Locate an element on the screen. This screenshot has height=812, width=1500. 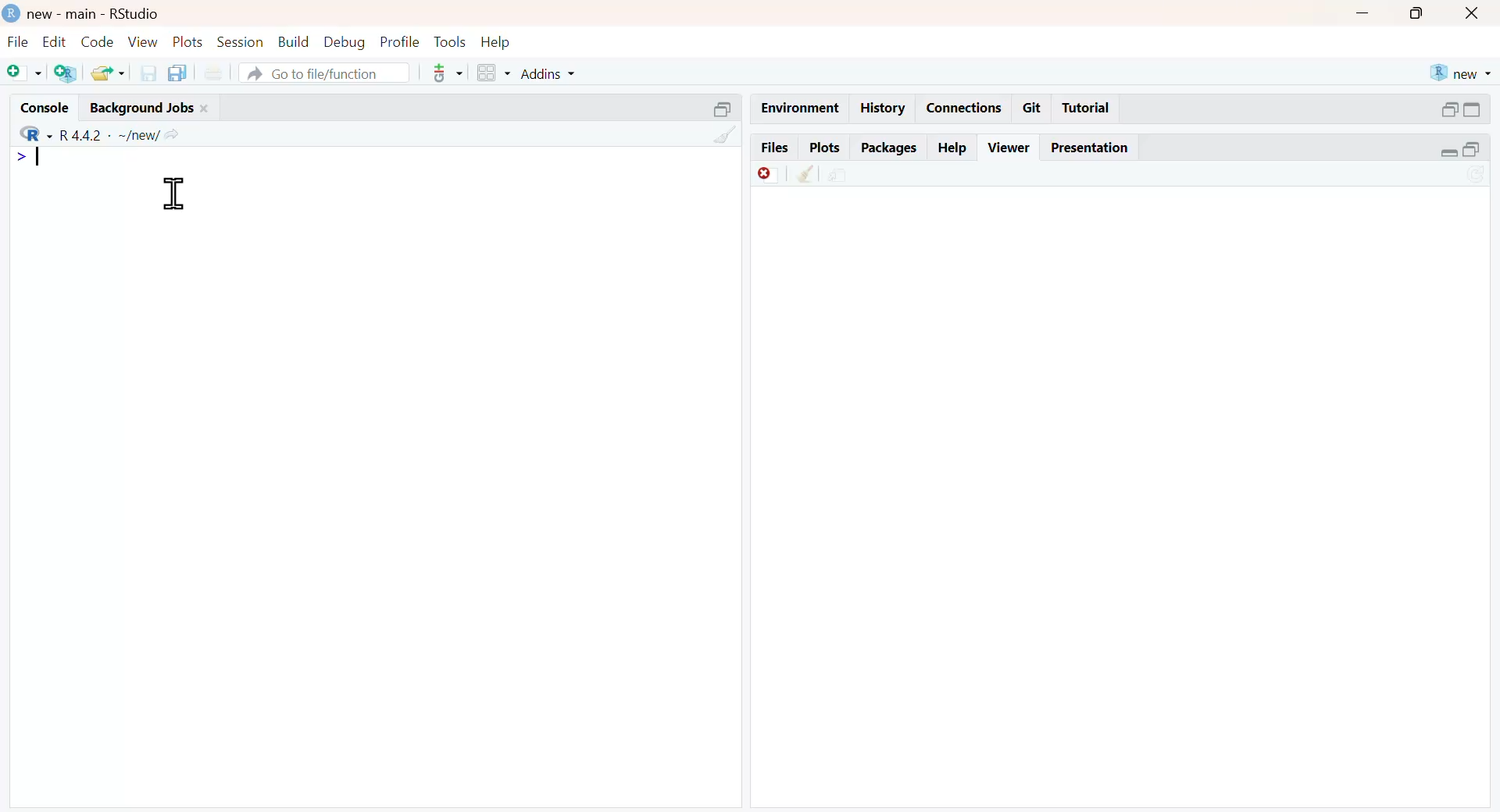
close is located at coordinates (1473, 14).